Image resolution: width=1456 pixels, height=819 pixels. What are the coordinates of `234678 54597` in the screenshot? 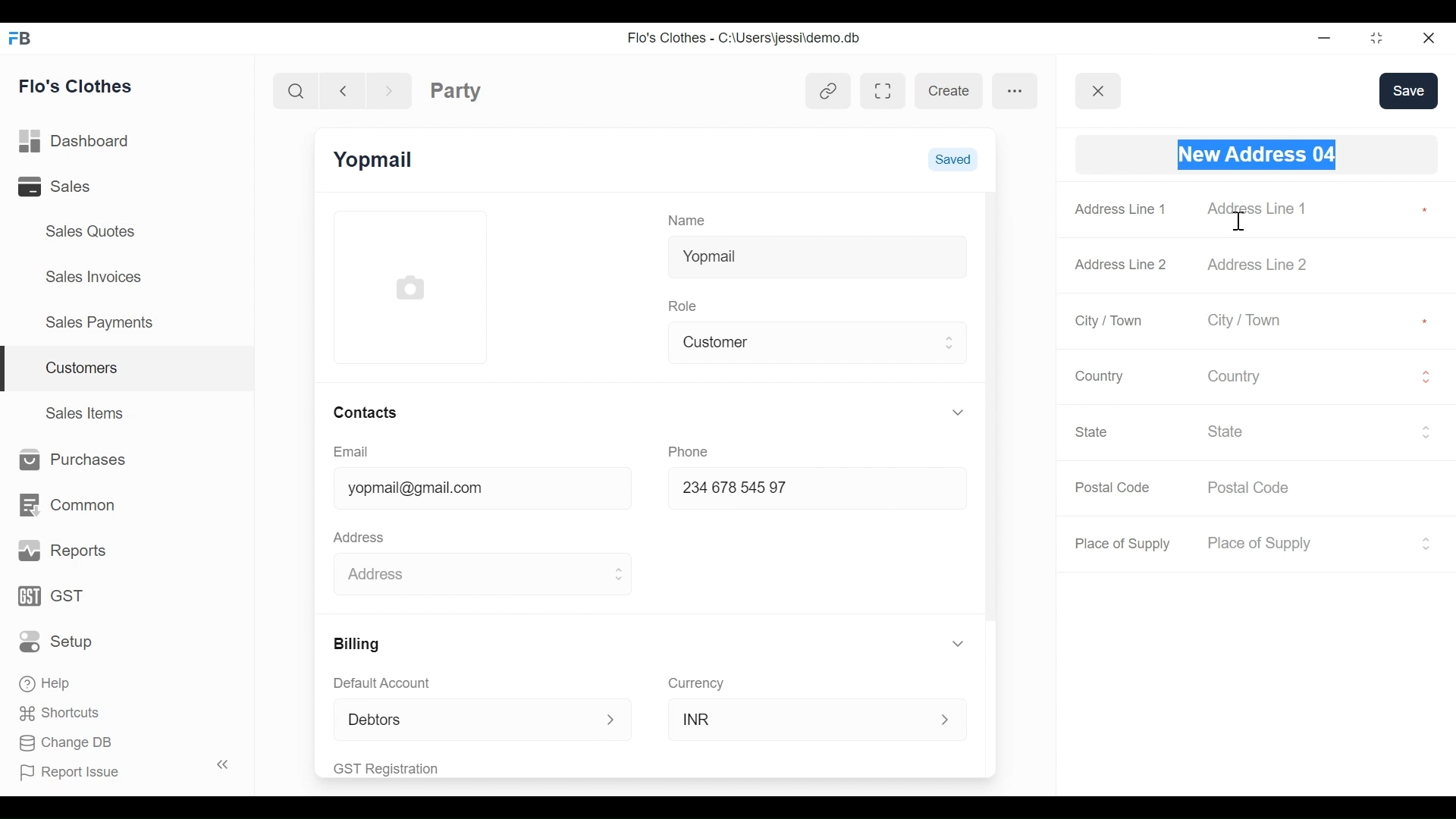 It's located at (802, 490).